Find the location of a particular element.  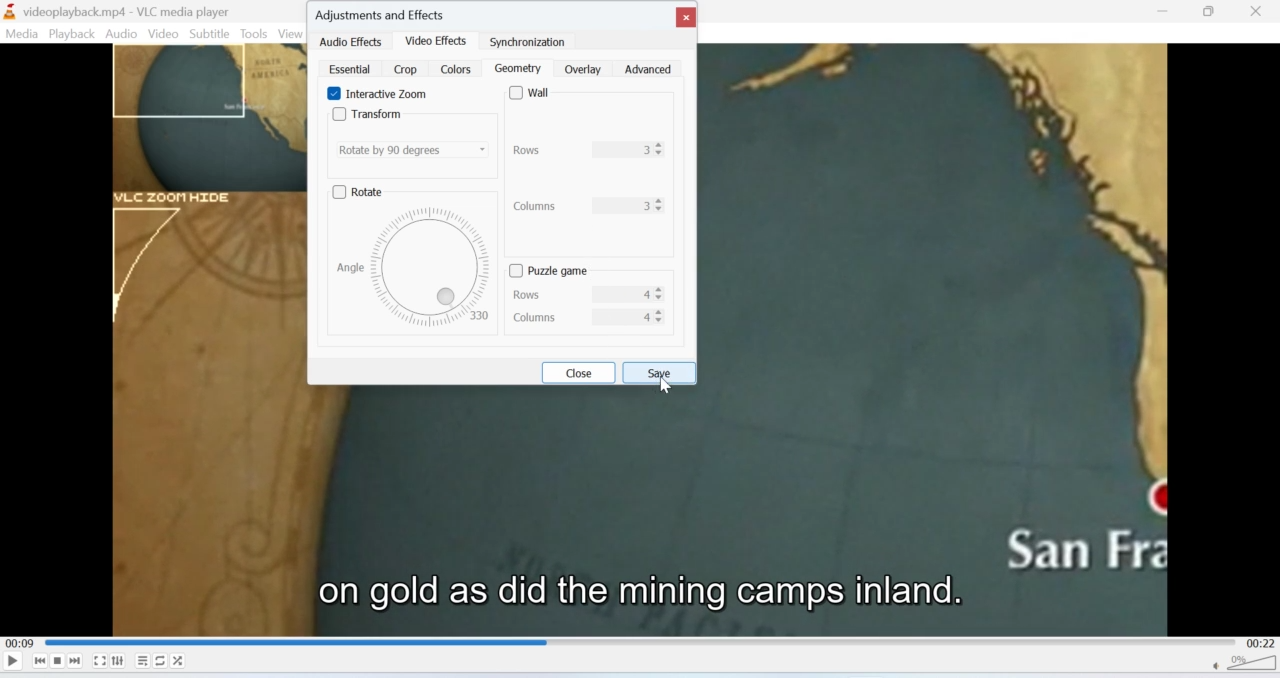

Seek backwards is located at coordinates (40, 661).